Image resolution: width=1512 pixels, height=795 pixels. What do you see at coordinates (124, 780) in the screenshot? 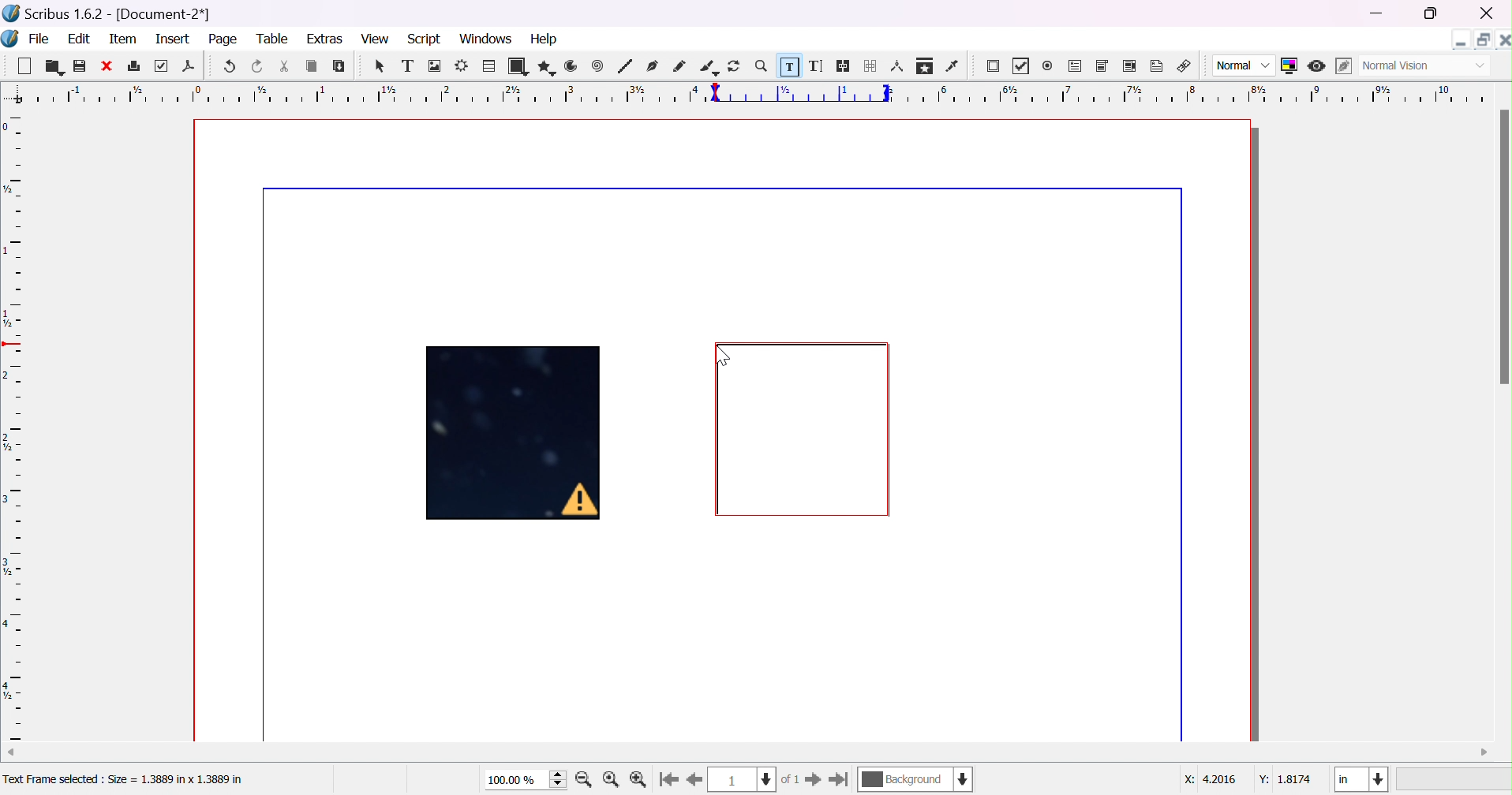
I see `Text Frame selected : Size = 1.3889 in x 1.3889 in` at bounding box center [124, 780].